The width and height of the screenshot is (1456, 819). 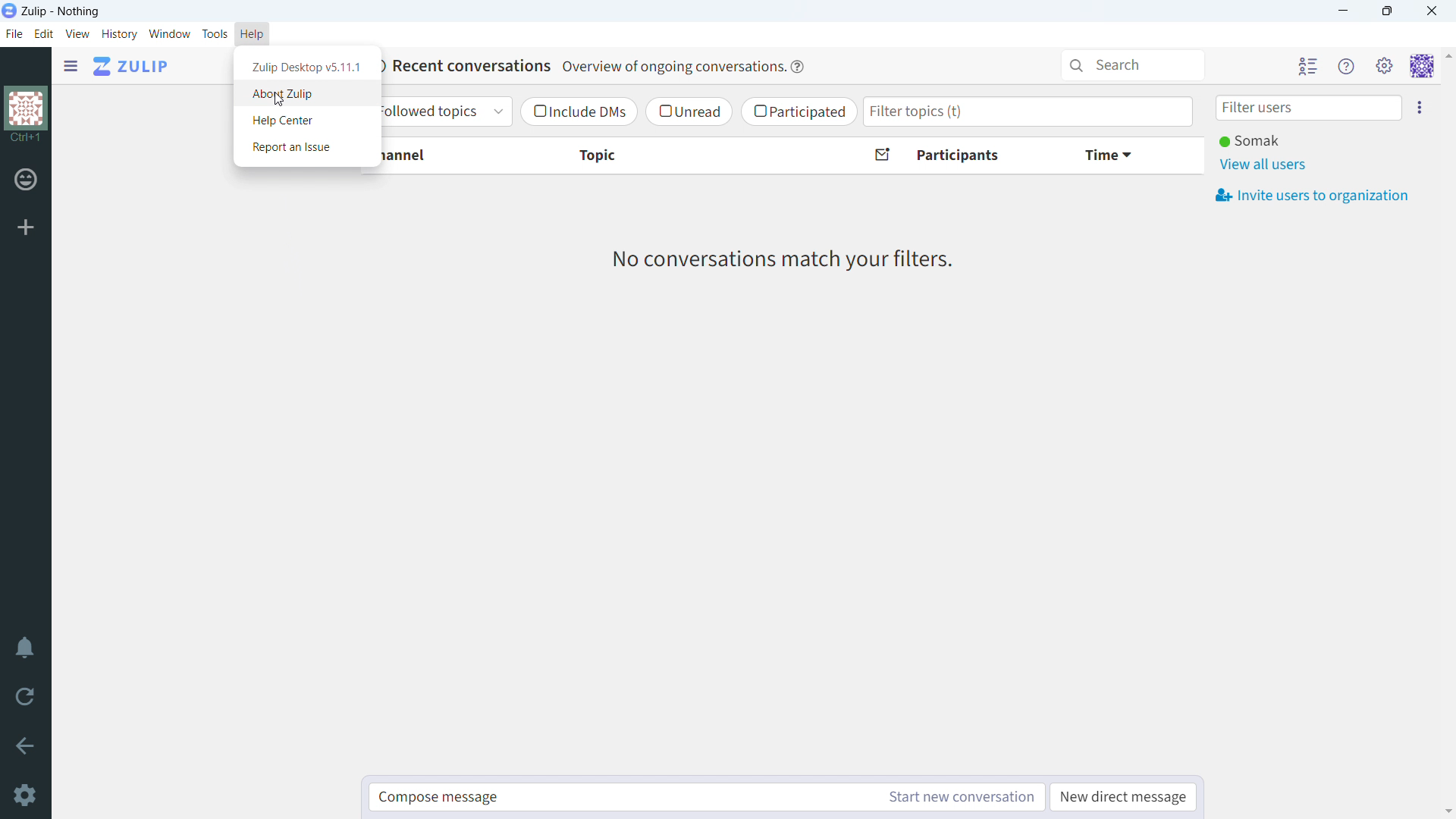 What do you see at coordinates (130, 66) in the screenshot?
I see `ZULIP` at bounding box center [130, 66].